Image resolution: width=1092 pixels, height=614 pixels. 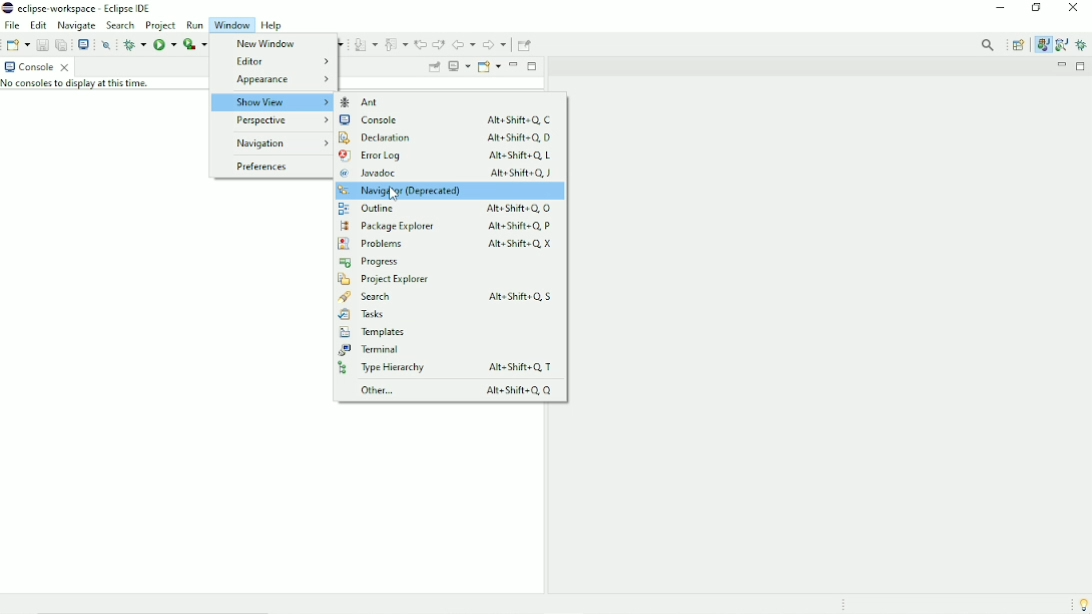 What do you see at coordinates (362, 315) in the screenshot?
I see `Tasks` at bounding box center [362, 315].